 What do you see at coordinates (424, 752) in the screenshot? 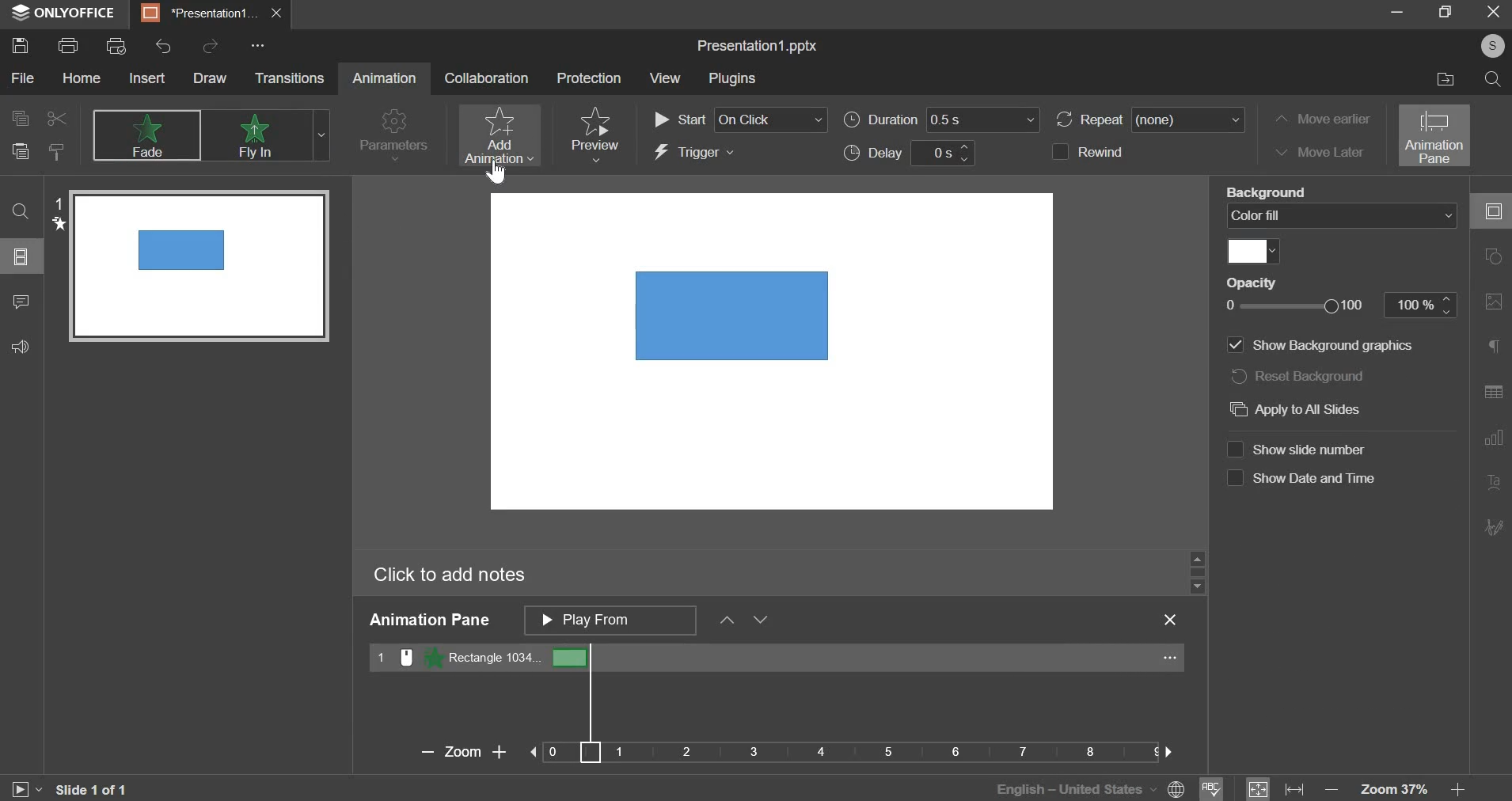
I see `Zoom Out` at bounding box center [424, 752].